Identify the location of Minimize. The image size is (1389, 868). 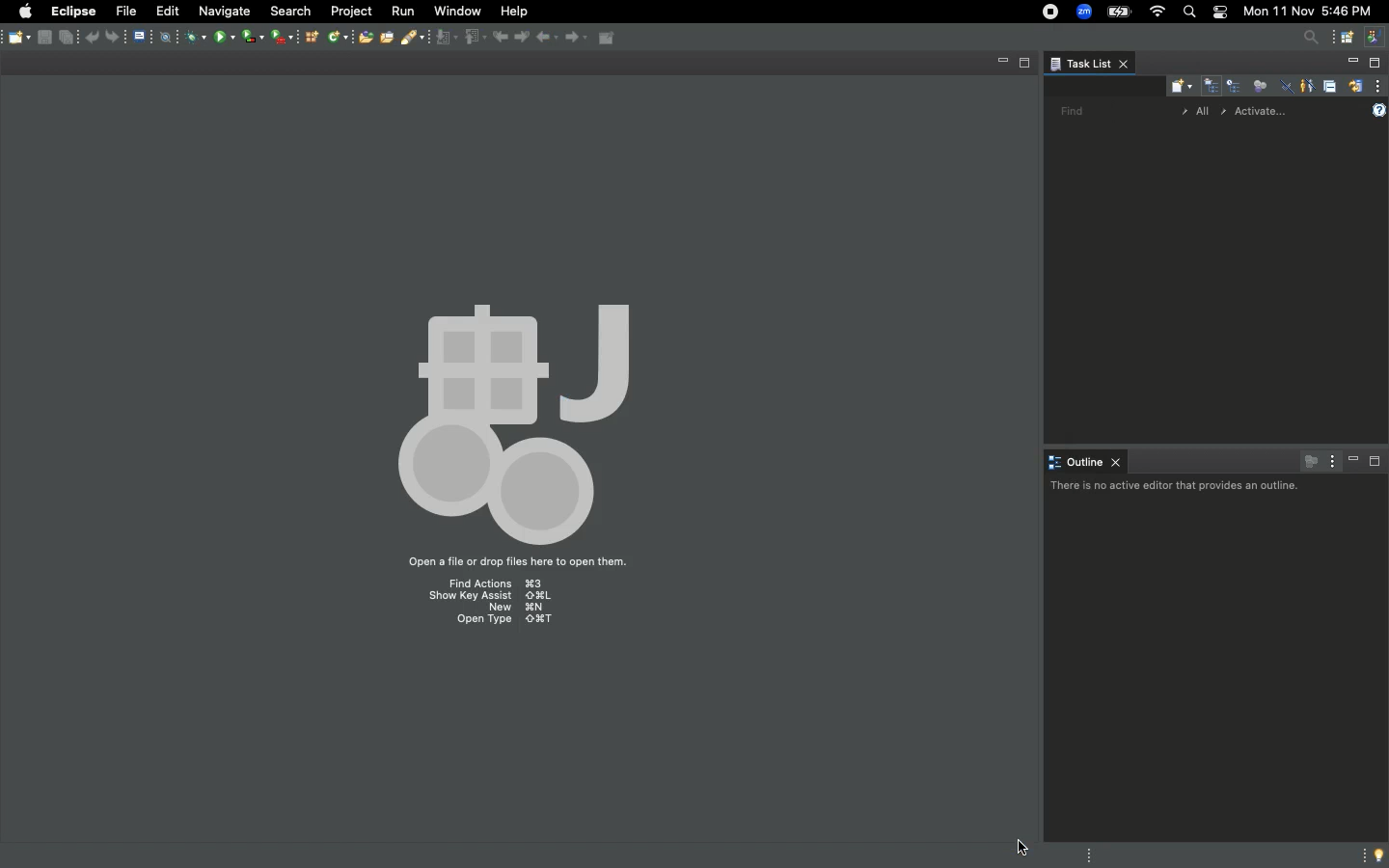
(60, 40).